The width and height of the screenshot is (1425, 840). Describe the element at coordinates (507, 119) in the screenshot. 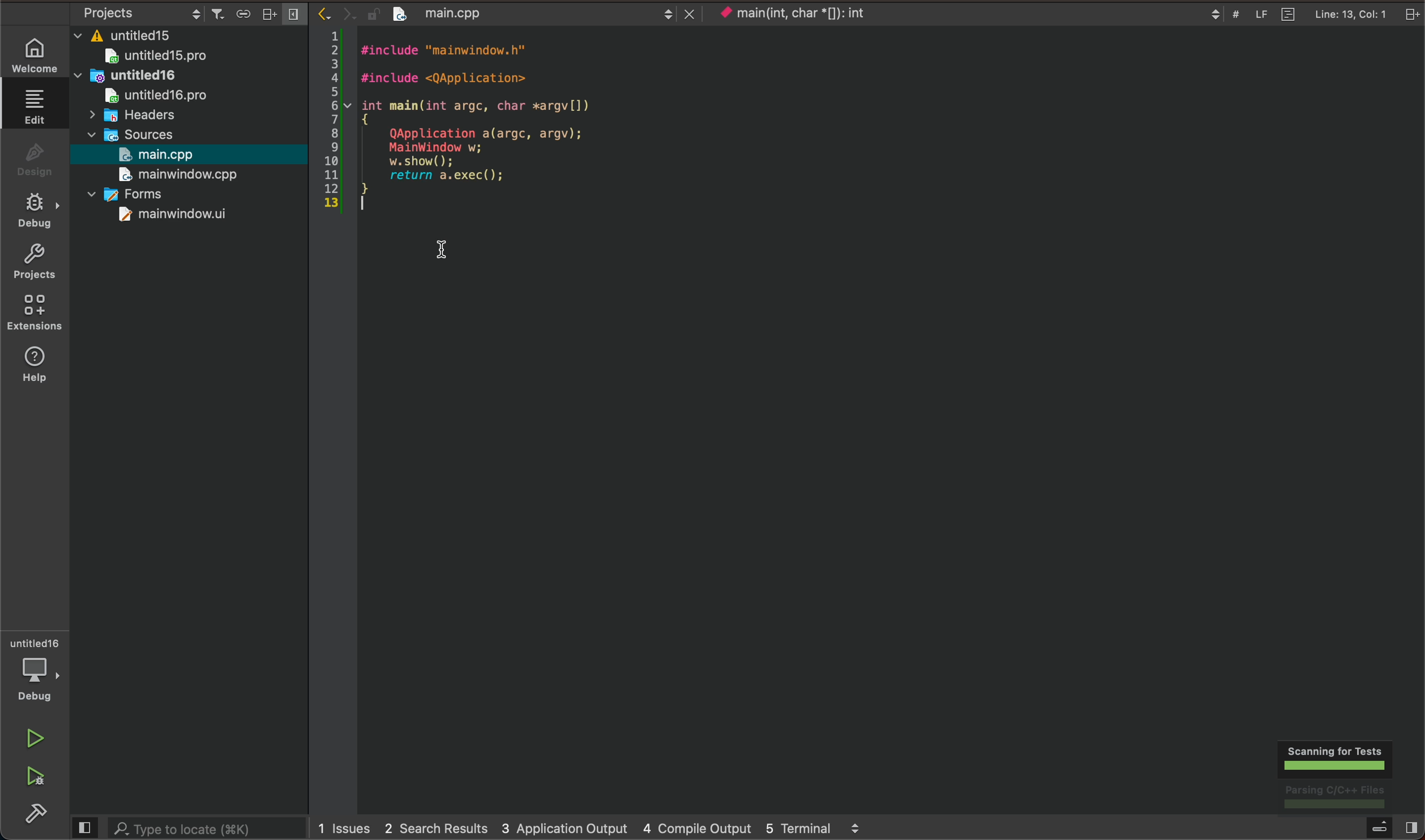

I see `file content` at that location.